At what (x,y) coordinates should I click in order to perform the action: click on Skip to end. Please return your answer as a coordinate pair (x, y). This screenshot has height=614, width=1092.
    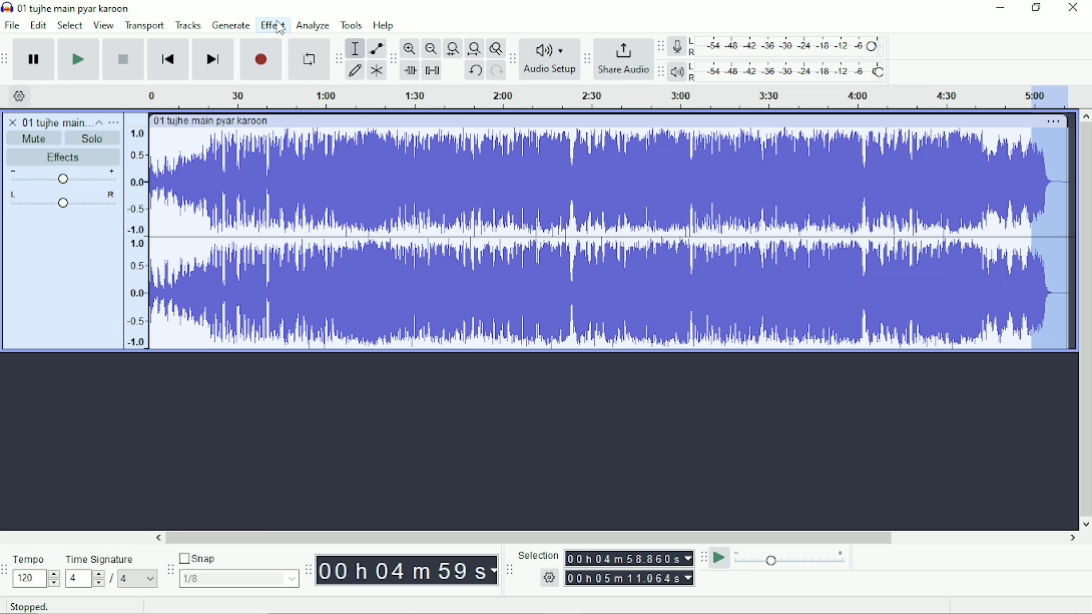
    Looking at the image, I should click on (213, 60).